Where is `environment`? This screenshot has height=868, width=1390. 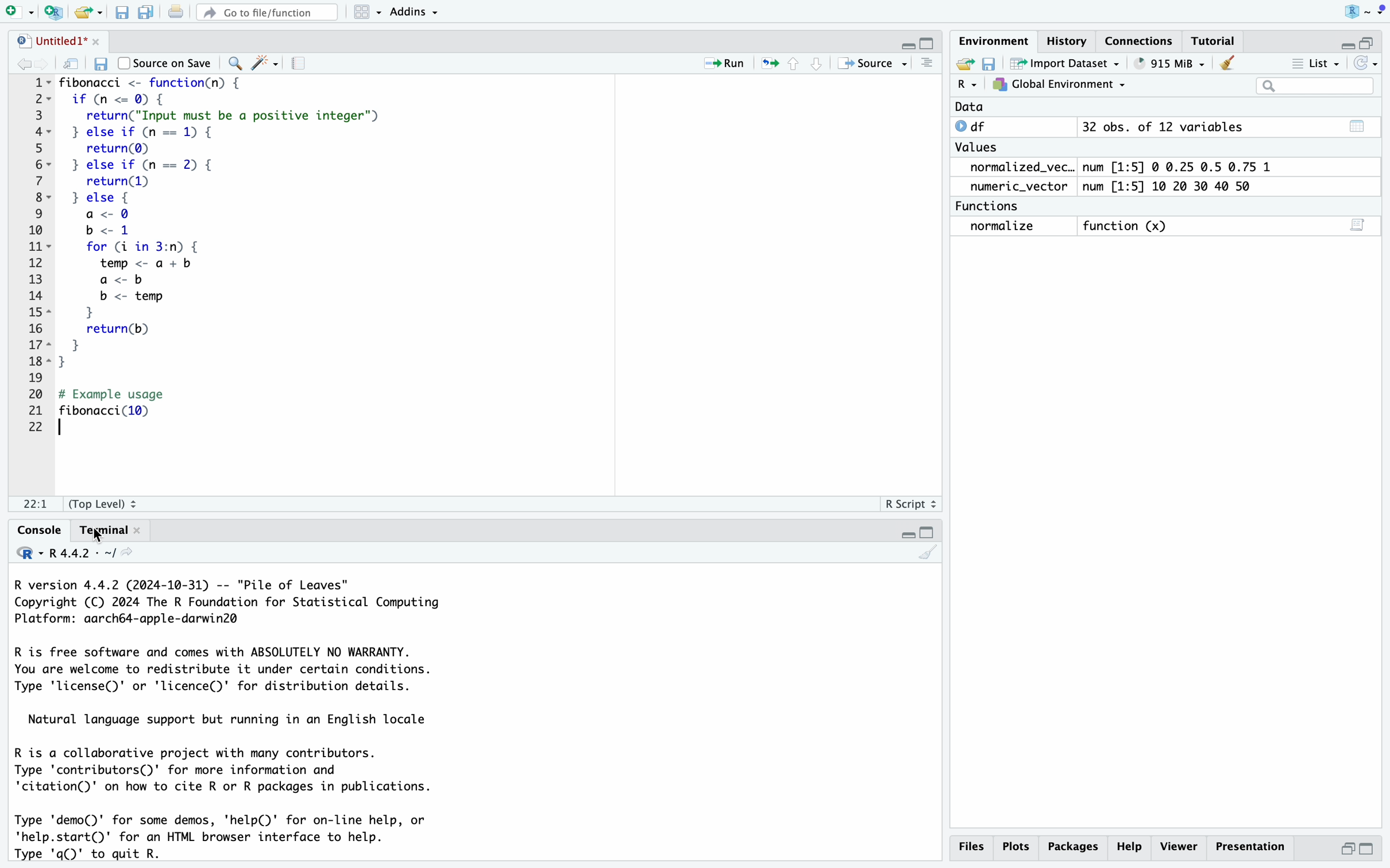
environment is located at coordinates (991, 40).